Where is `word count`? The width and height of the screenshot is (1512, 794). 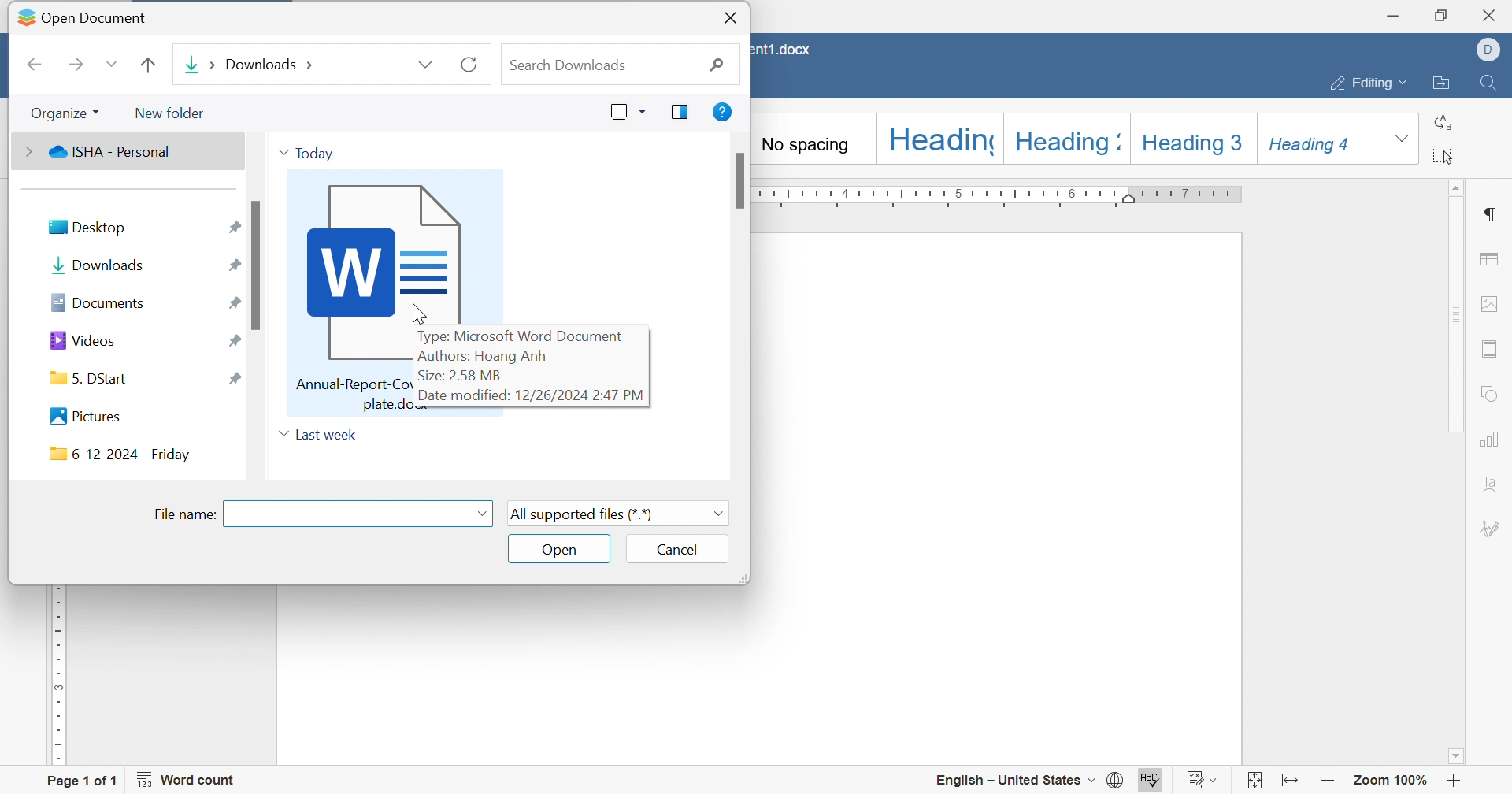
word count is located at coordinates (191, 780).